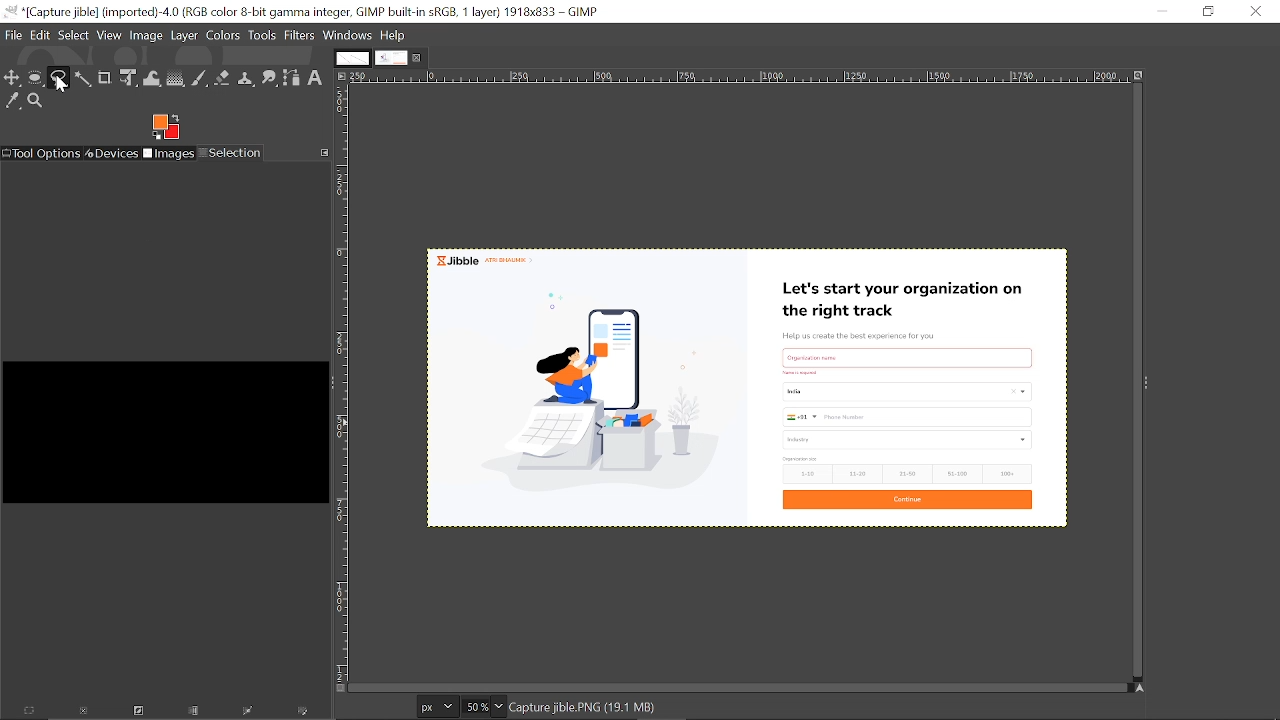 Image resolution: width=1280 pixels, height=720 pixels. What do you see at coordinates (185, 35) in the screenshot?
I see `Layer` at bounding box center [185, 35].